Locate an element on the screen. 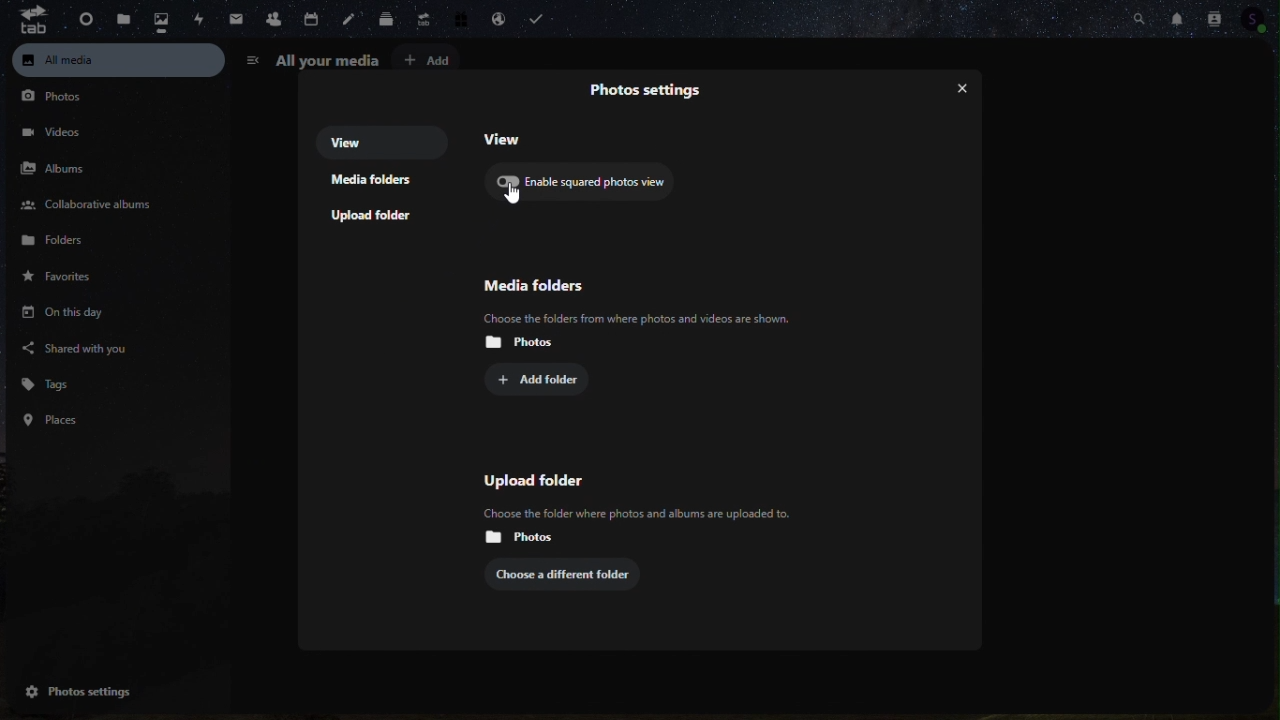 This screenshot has height=720, width=1280. task is located at coordinates (544, 17).